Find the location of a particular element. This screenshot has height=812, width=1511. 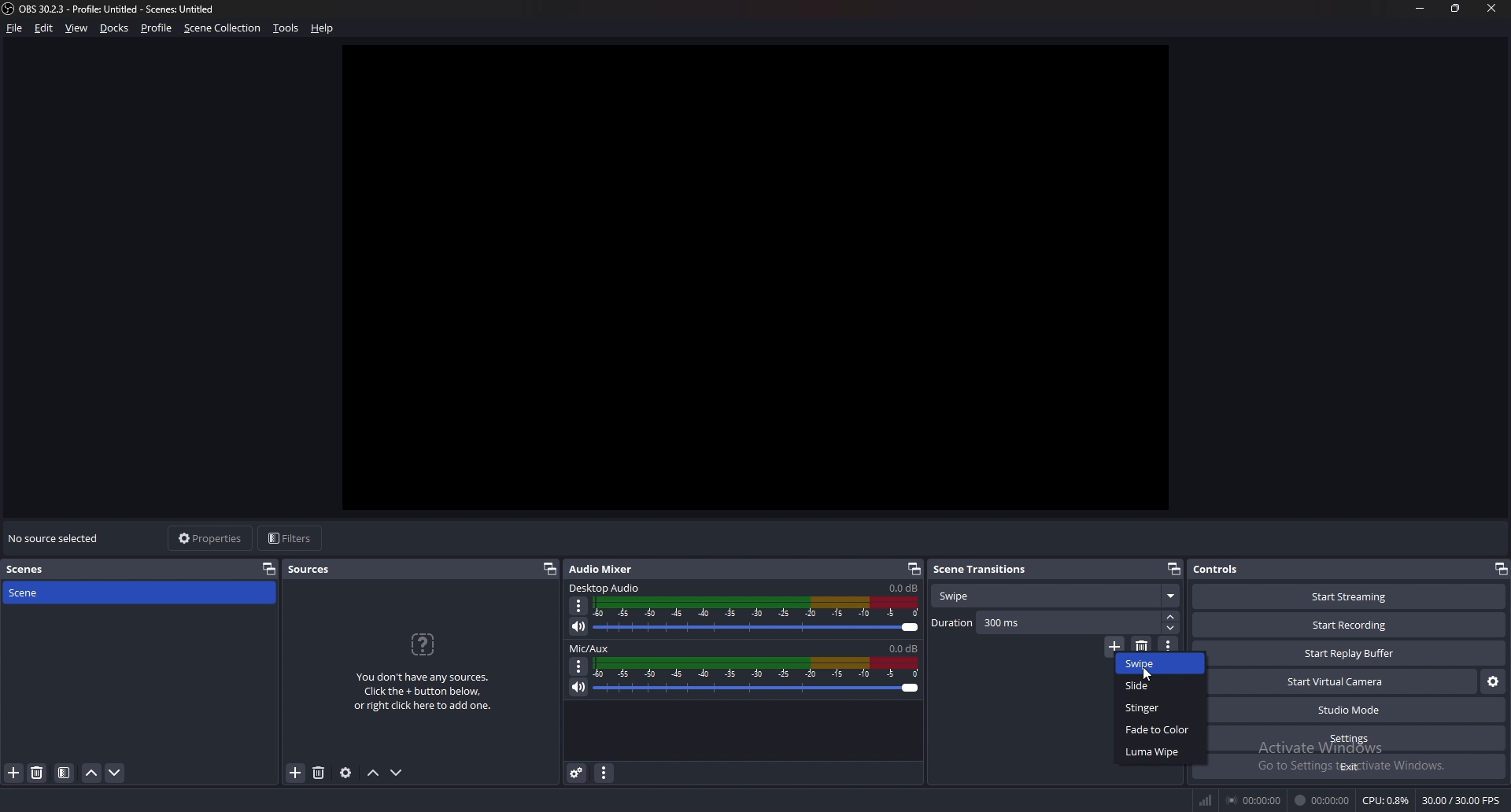

start virtual camera is located at coordinates (1343, 681).